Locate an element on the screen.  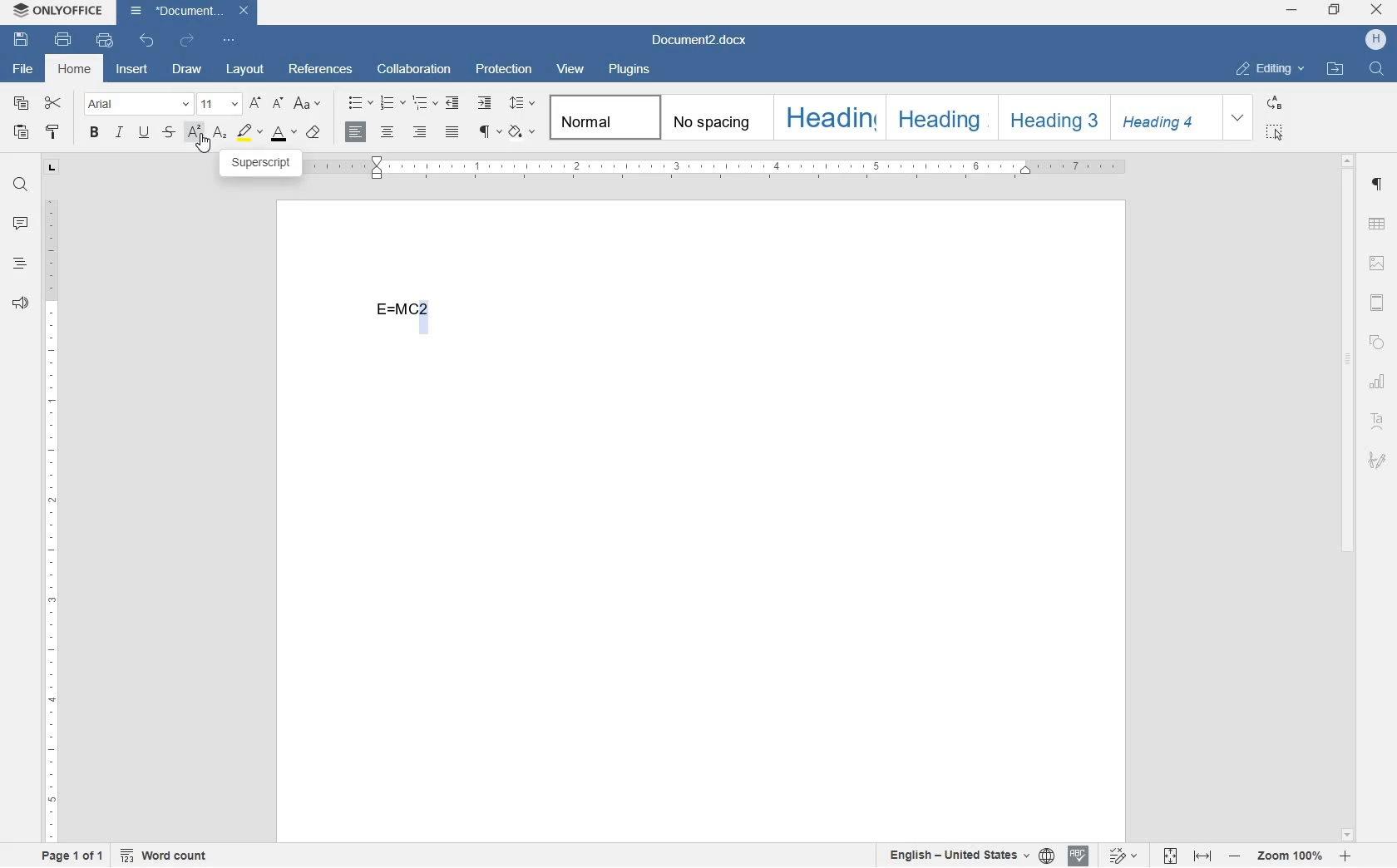
plugins is located at coordinates (633, 70).